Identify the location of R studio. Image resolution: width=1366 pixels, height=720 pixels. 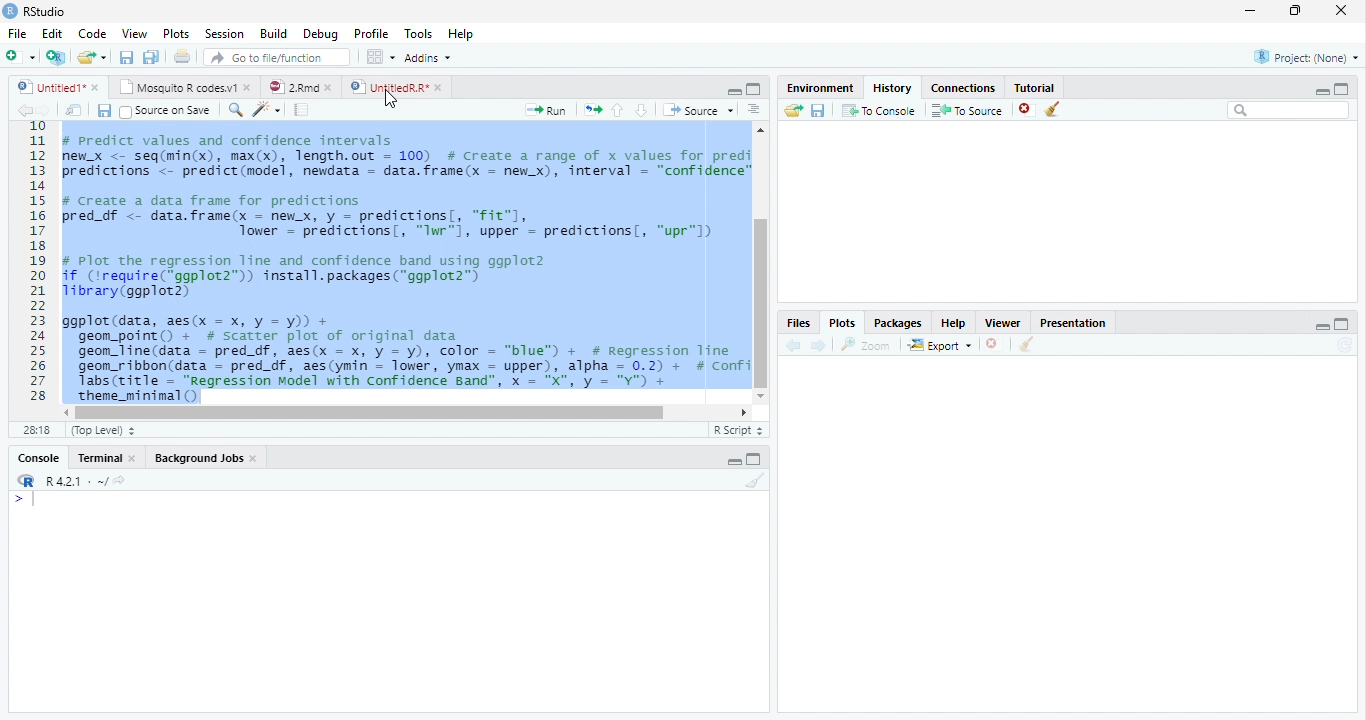
(38, 11).